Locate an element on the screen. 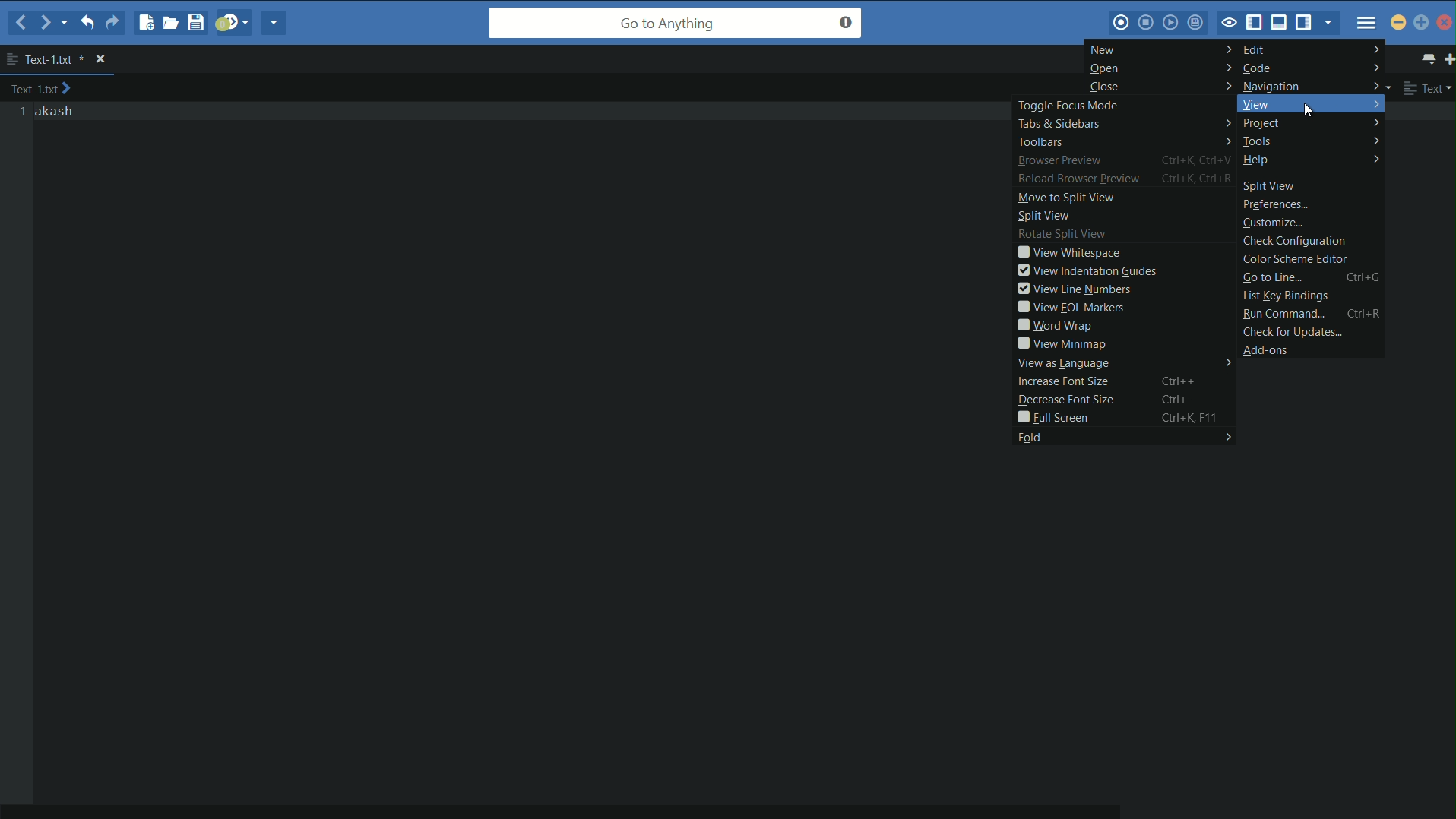 This screenshot has height=819, width=1456. share current file is located at coordinates (273, 23).